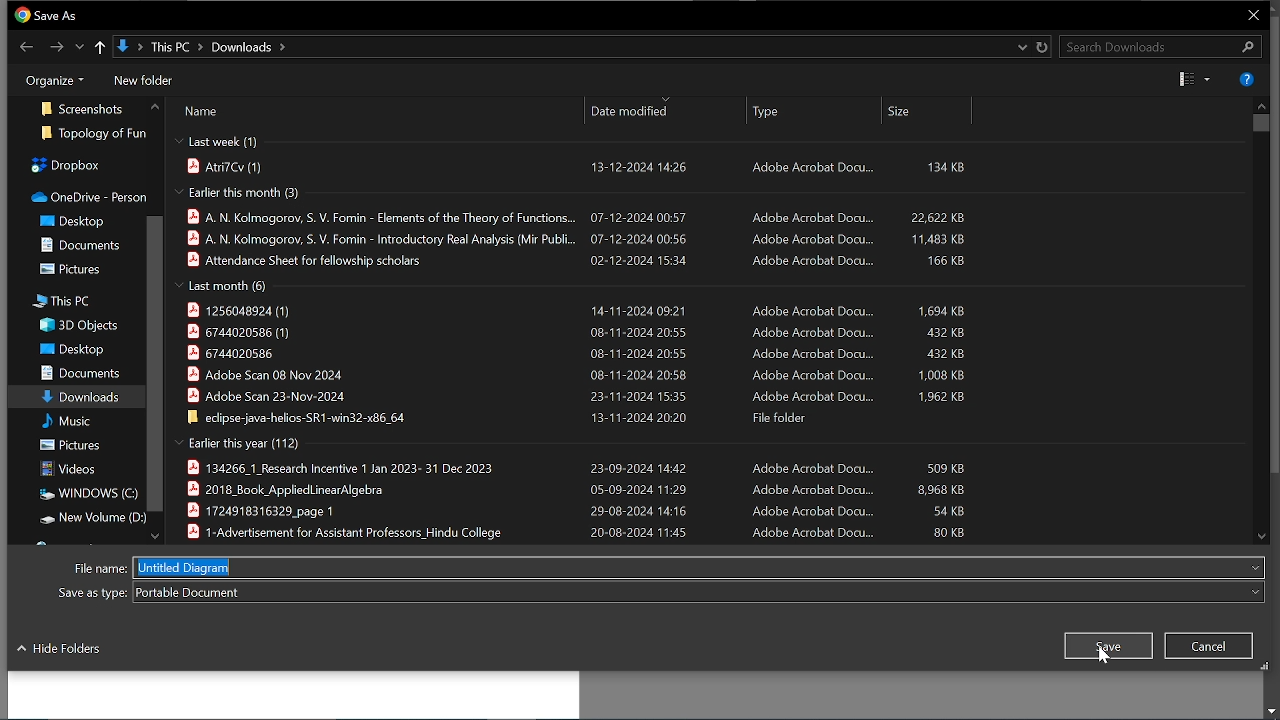  What do you see at coordinates (82, 247) in the screenshot?
I see `documents` at bounding box center [82, 247].